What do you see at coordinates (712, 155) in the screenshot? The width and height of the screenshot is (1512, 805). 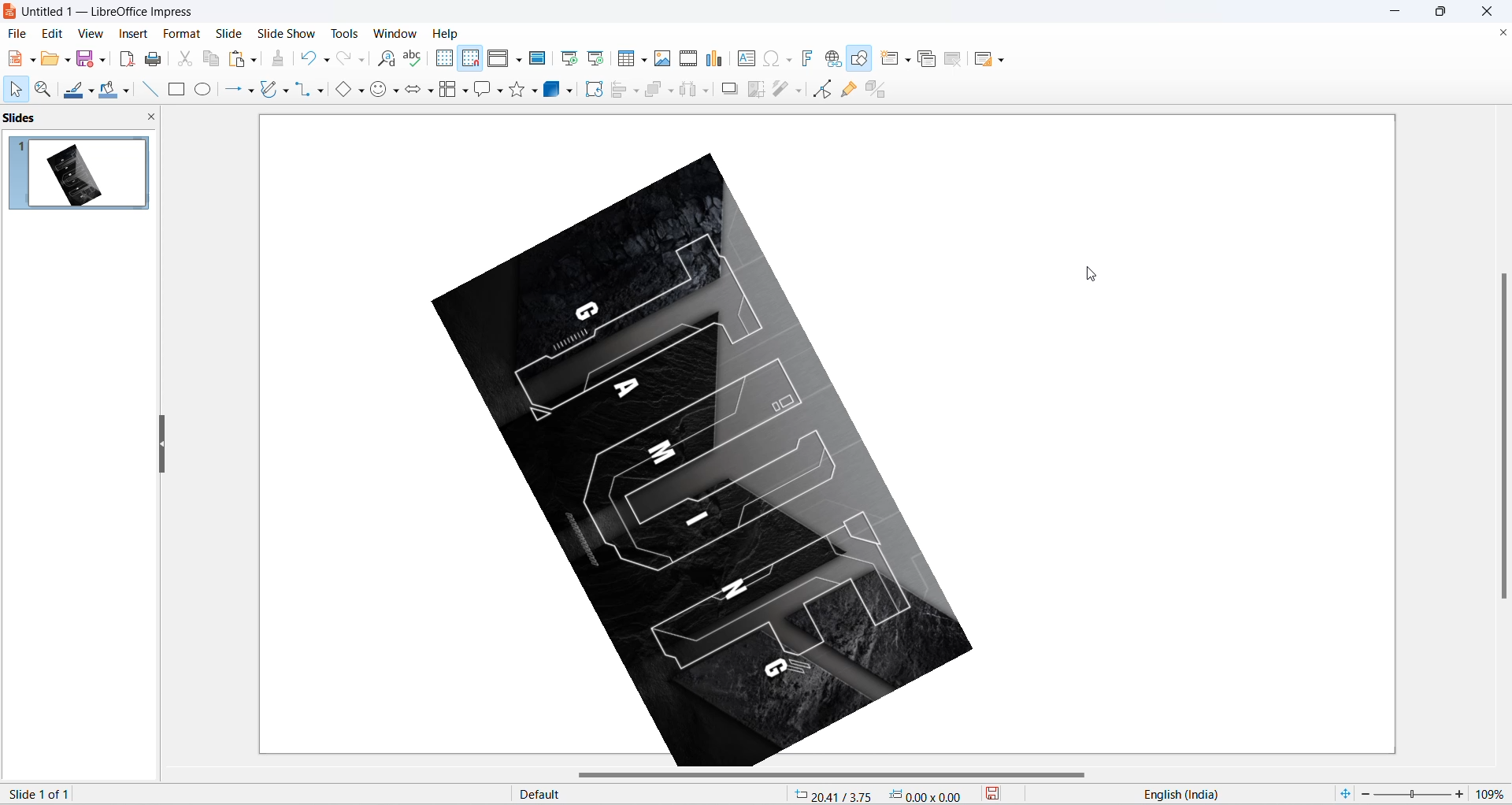 I see `image selection markup` at bounding box center [712, 155].